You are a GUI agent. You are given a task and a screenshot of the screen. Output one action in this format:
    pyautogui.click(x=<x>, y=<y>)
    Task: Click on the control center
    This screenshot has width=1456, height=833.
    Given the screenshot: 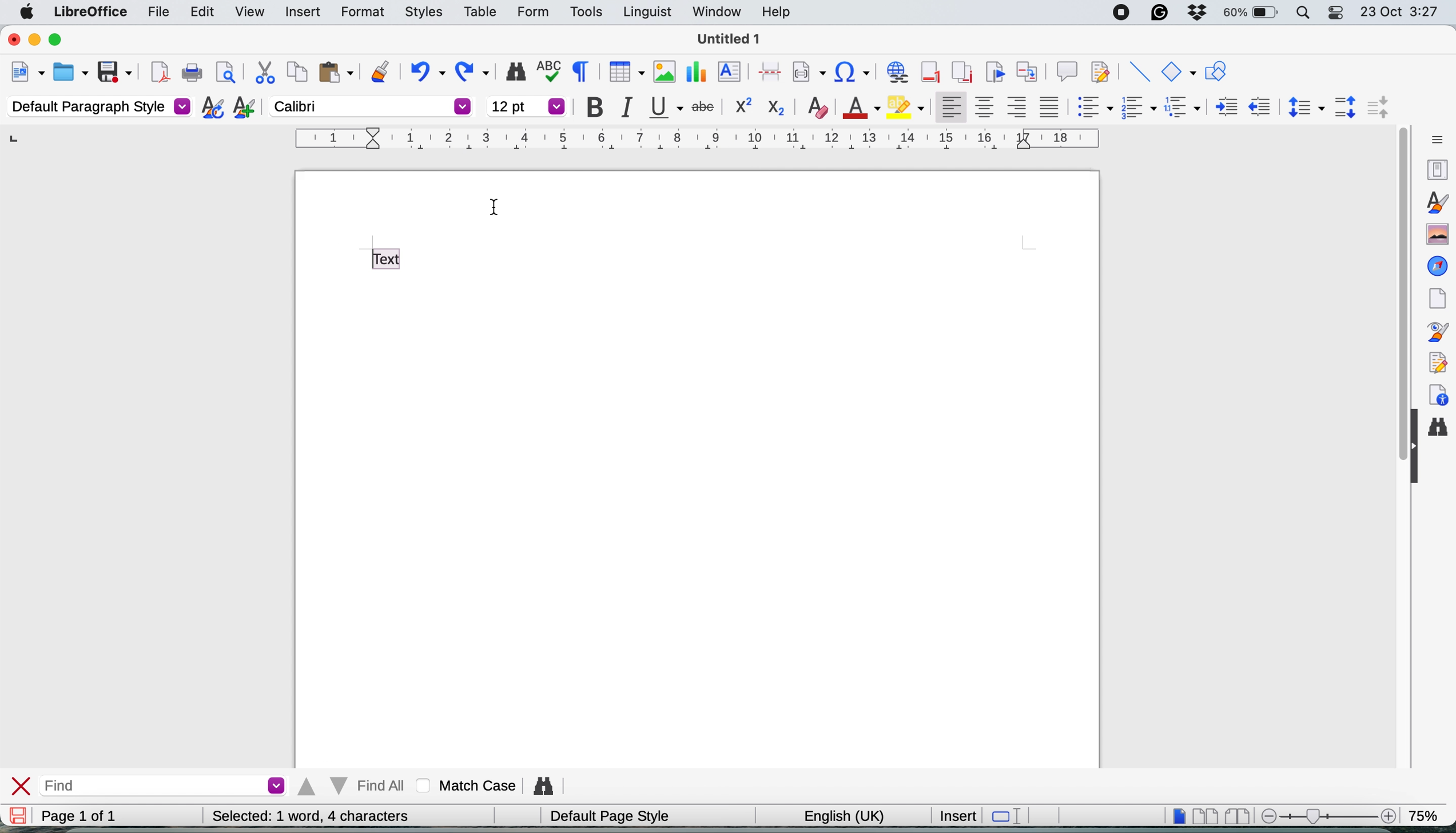 What is the action you would take?
    pyautogui.click(x=1338, y=14)
    